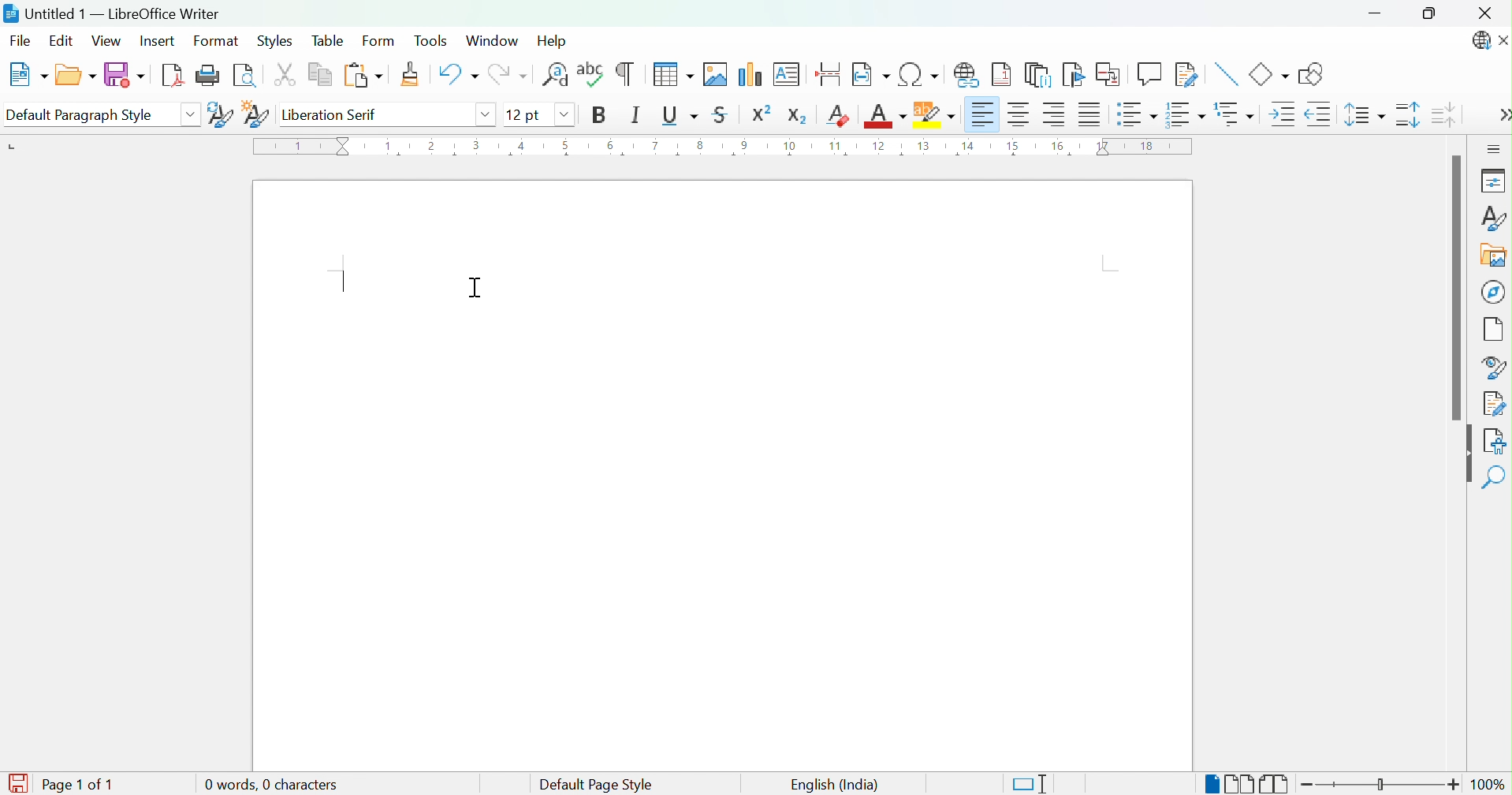  I want to click on New Style from Selection, so click(255, 113).